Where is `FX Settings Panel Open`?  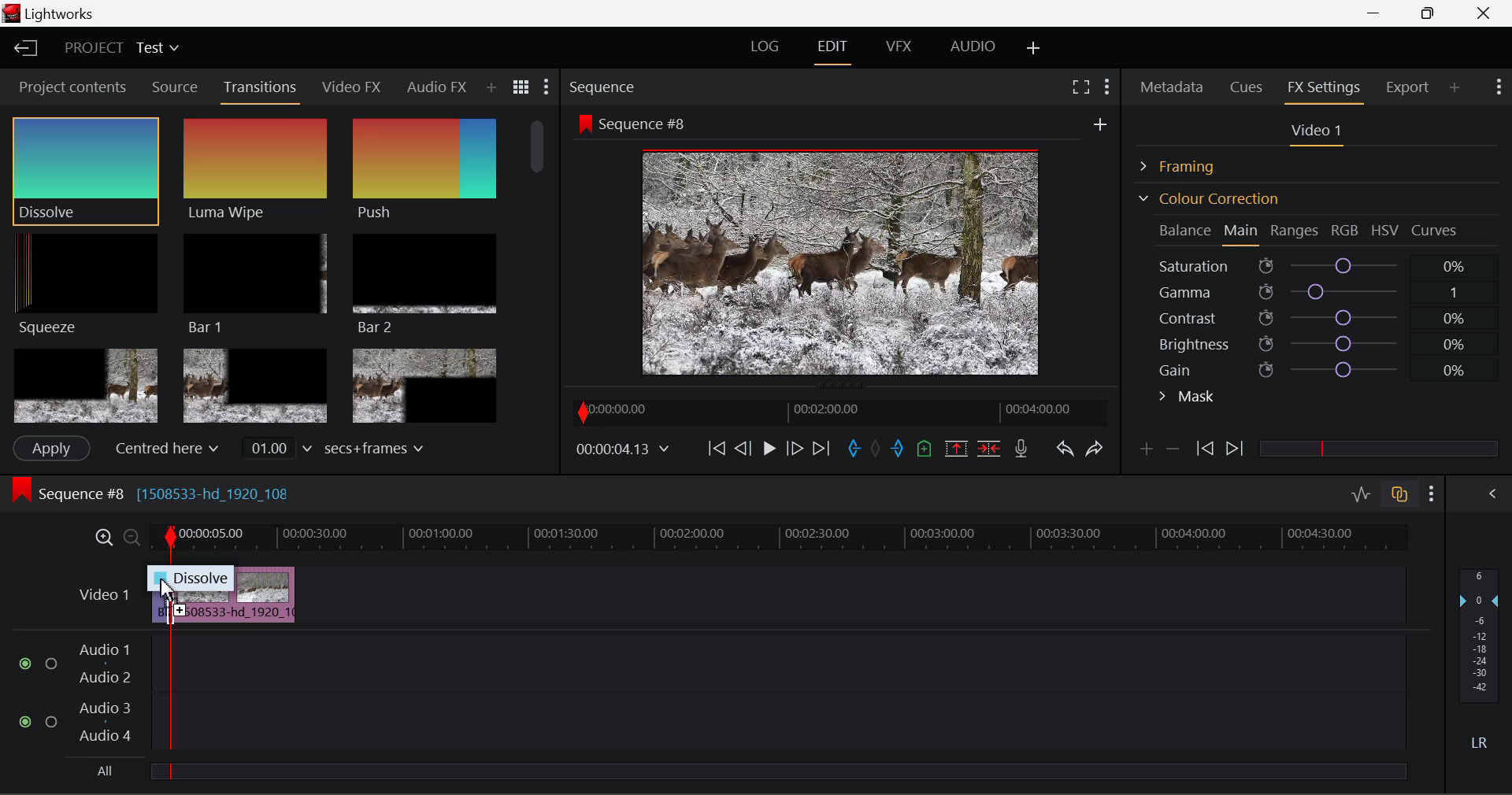 FX Settings Panel Open is located at coordinates (1325, 89).